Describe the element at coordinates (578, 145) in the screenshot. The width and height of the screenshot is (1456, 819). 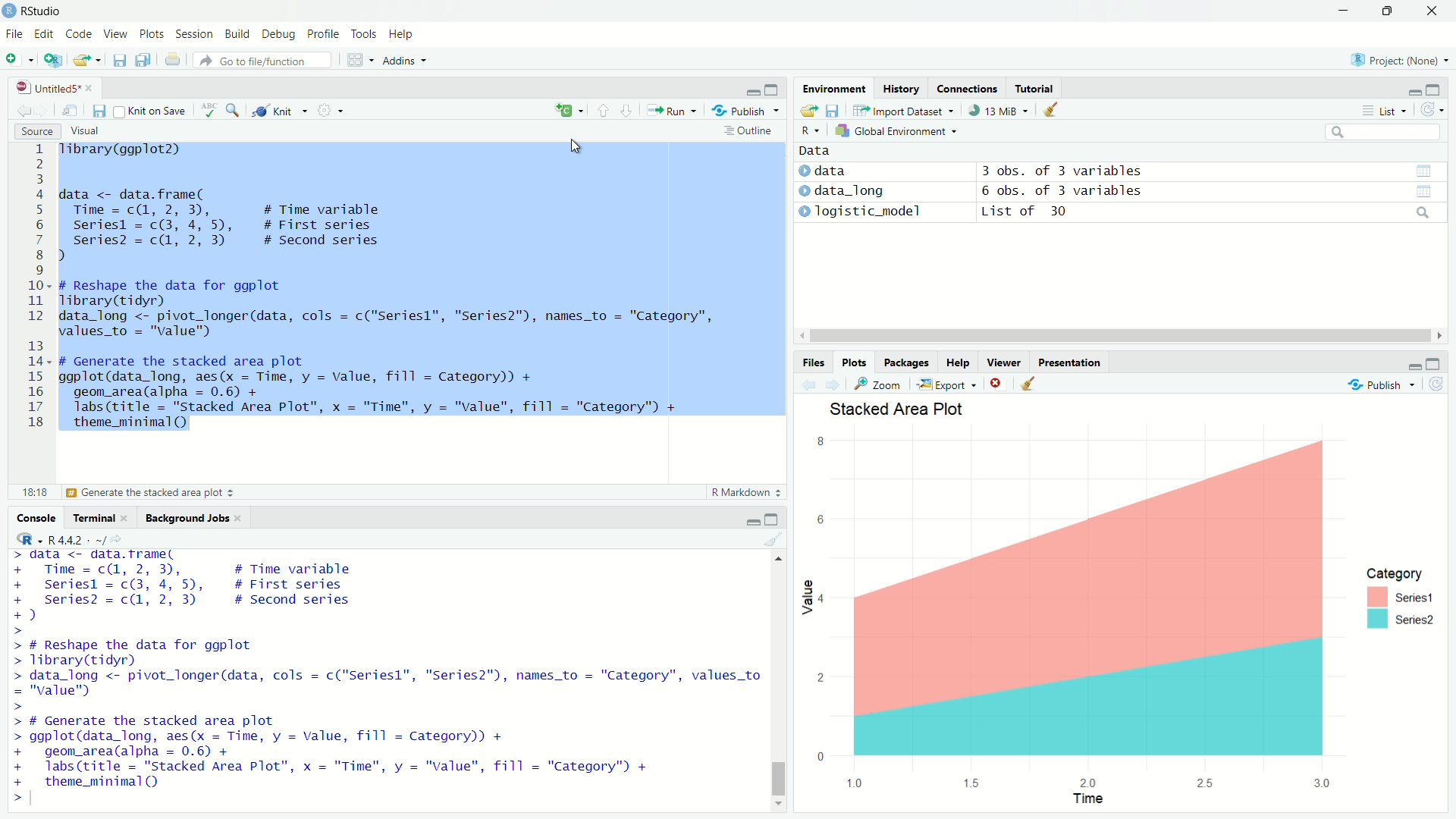
I see `cursor` at that location.